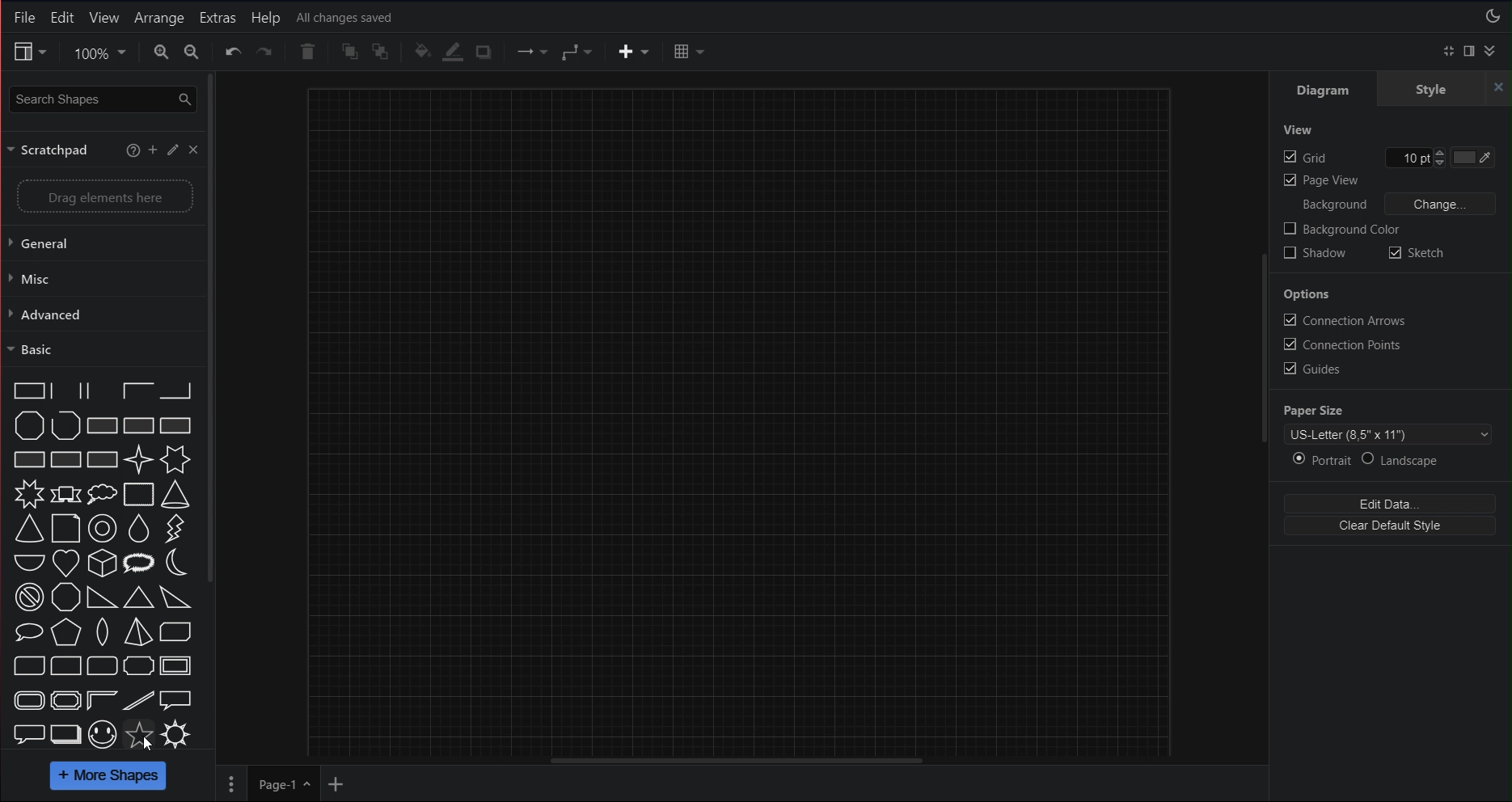 This screenshot has width=1512, height=802. I want to click on Sketch, so click(1418, 251).